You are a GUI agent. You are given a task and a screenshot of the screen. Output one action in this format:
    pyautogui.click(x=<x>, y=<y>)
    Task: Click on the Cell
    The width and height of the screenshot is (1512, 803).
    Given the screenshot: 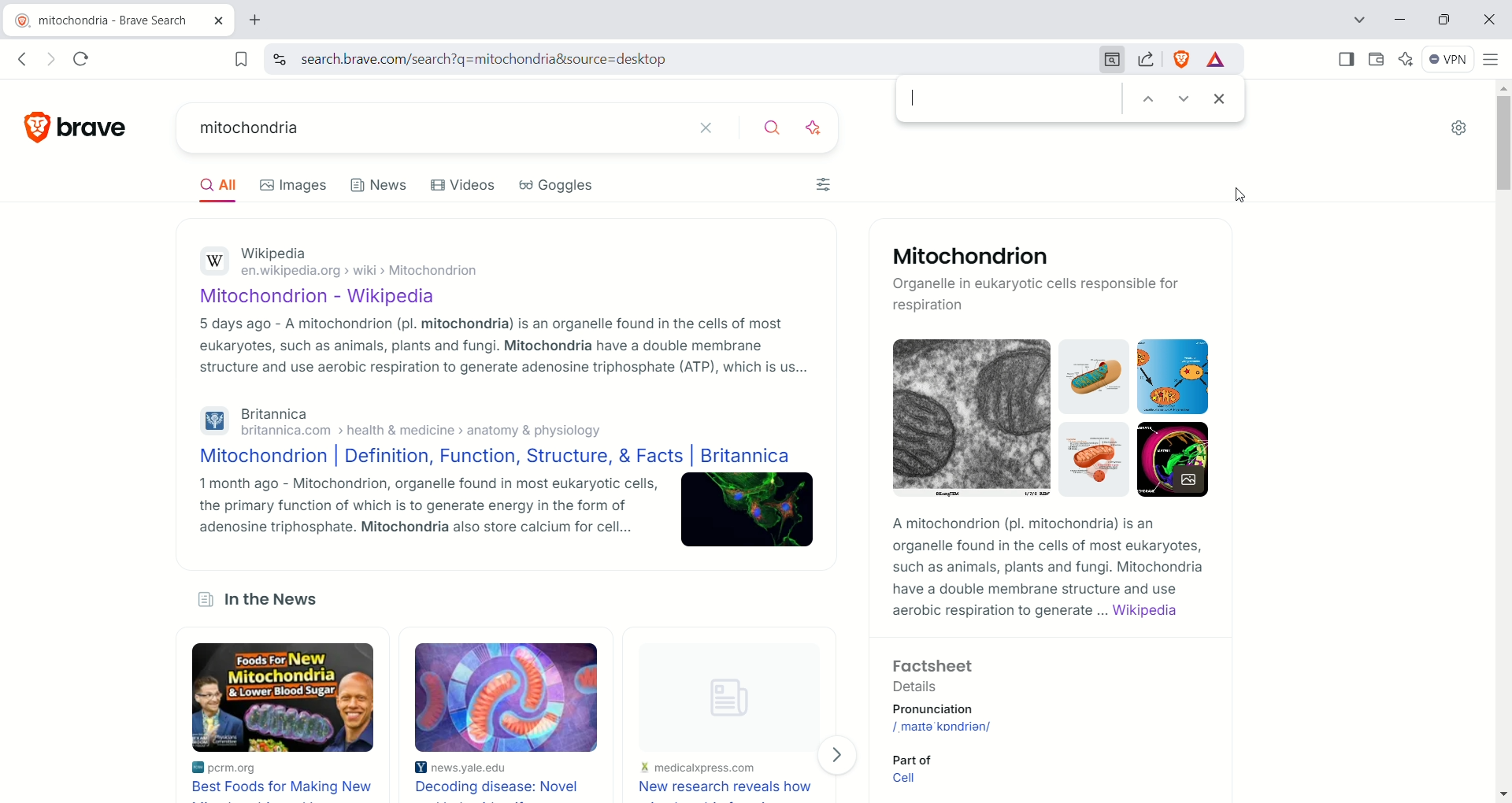 What is the action you would take?
    pyautogui.click(x=930, y=779)
    